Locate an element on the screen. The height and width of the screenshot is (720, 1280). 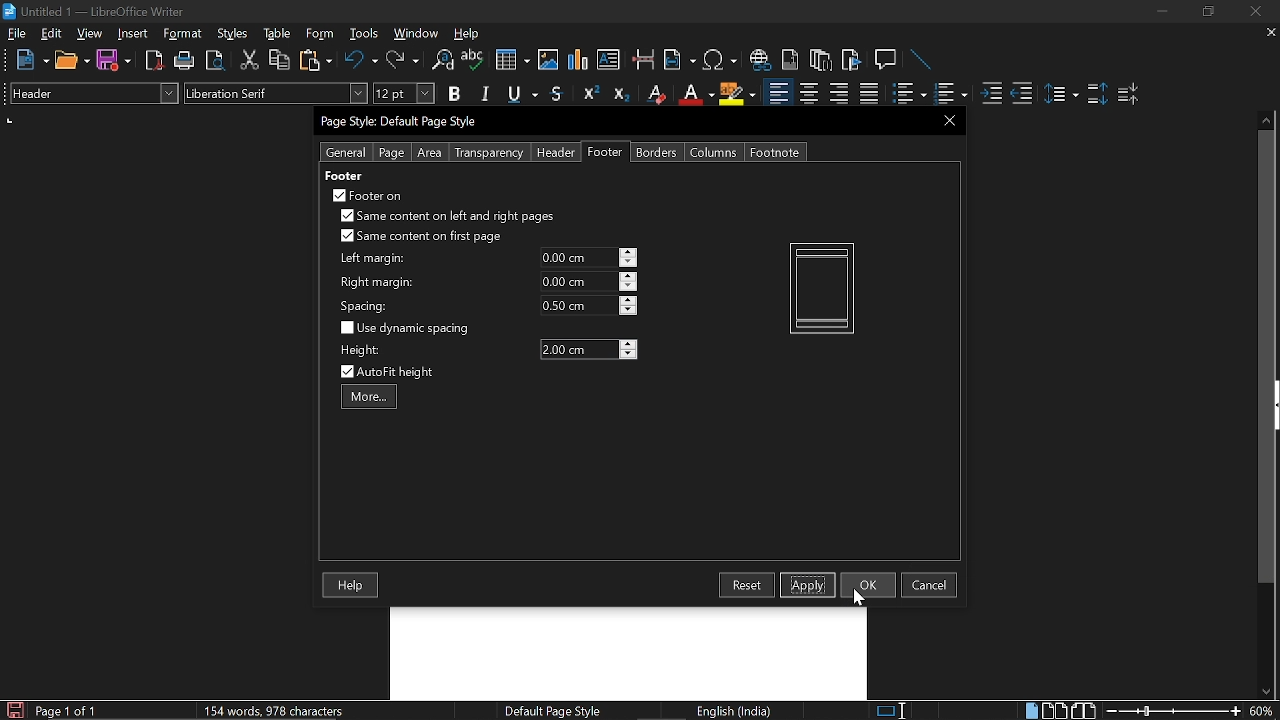
Erase is located at coordinates (655, 94).